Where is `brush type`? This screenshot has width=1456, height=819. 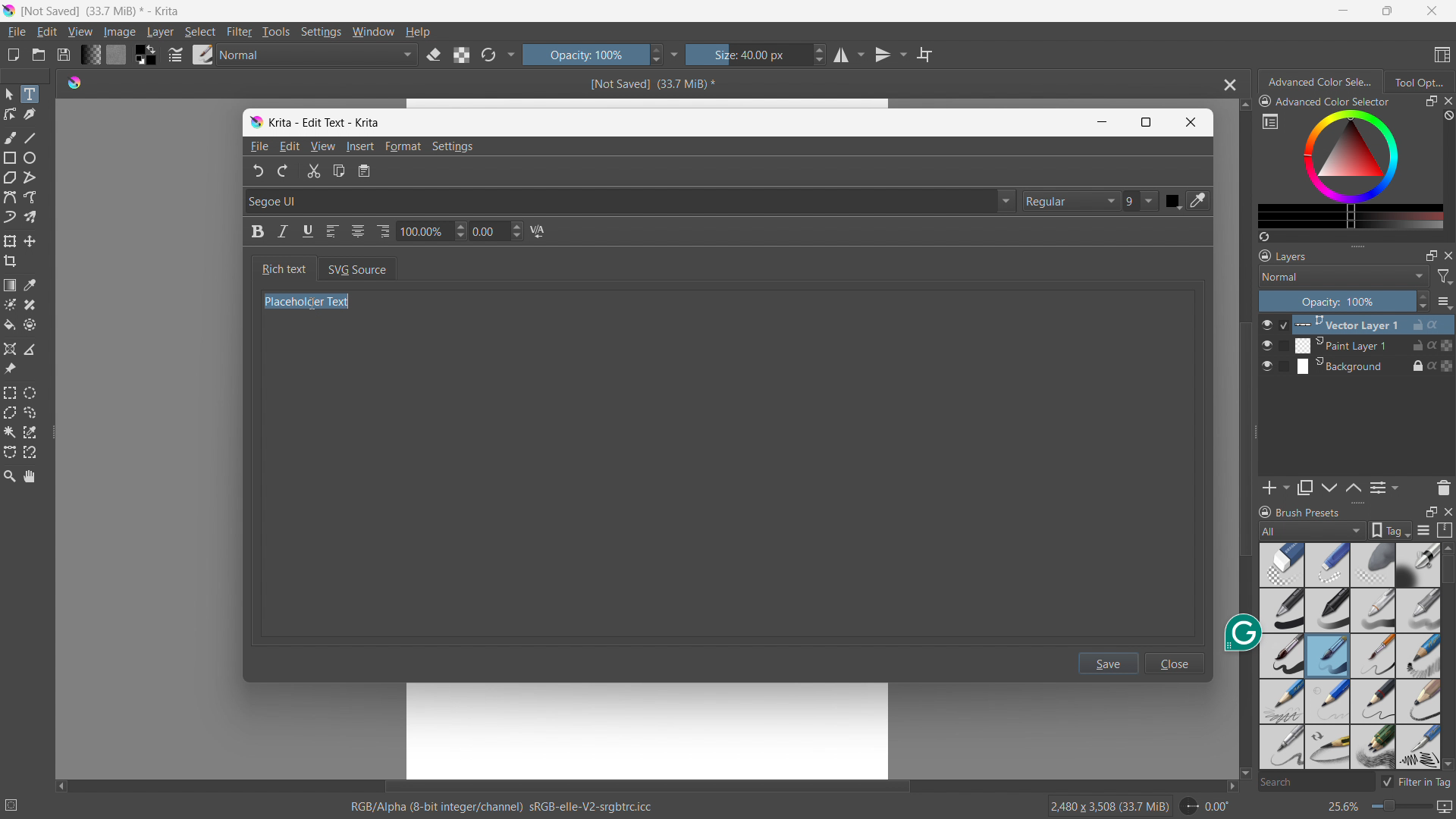 brush type is located at coordinates (1313, 530).